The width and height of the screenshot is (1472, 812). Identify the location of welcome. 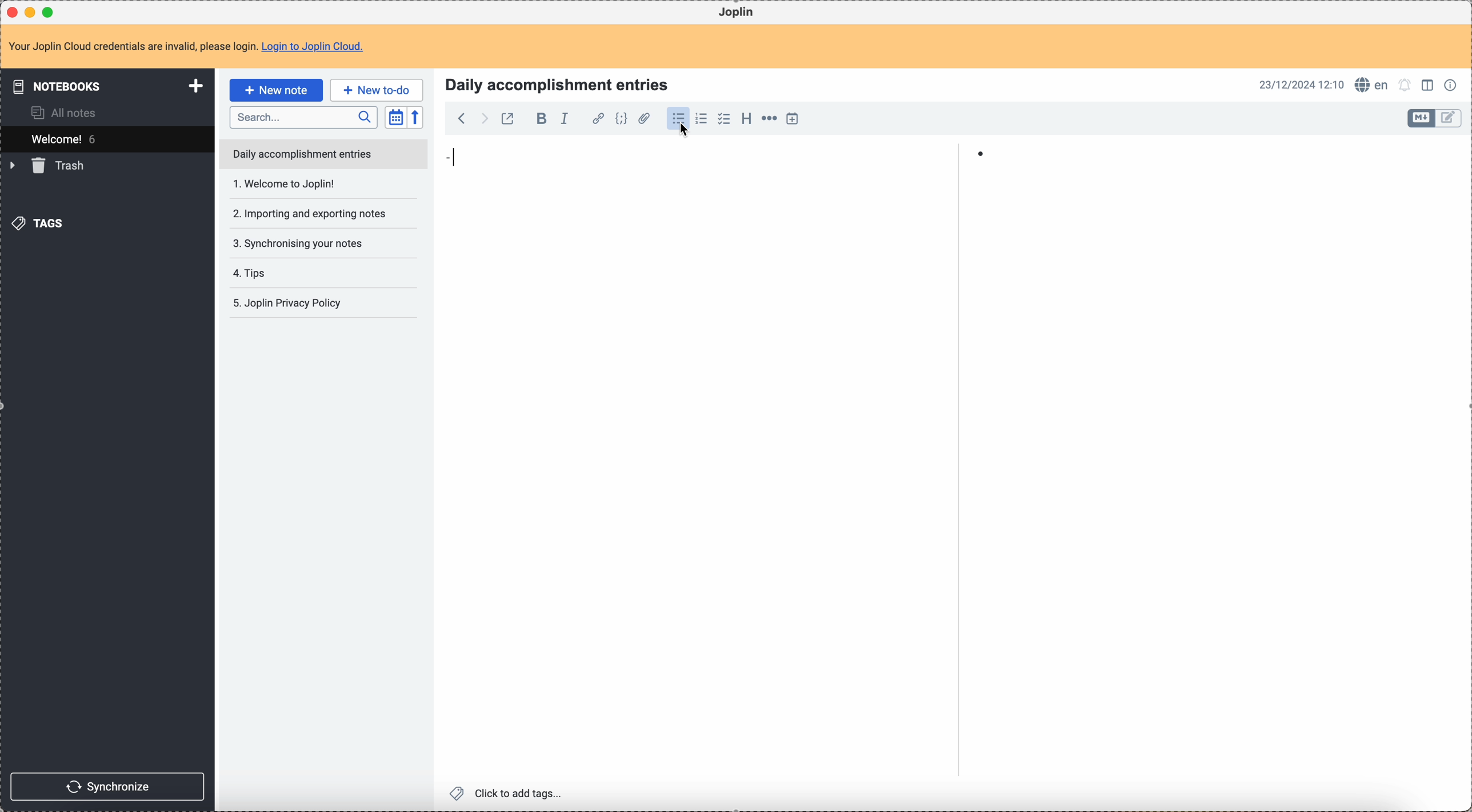
(106, 139).